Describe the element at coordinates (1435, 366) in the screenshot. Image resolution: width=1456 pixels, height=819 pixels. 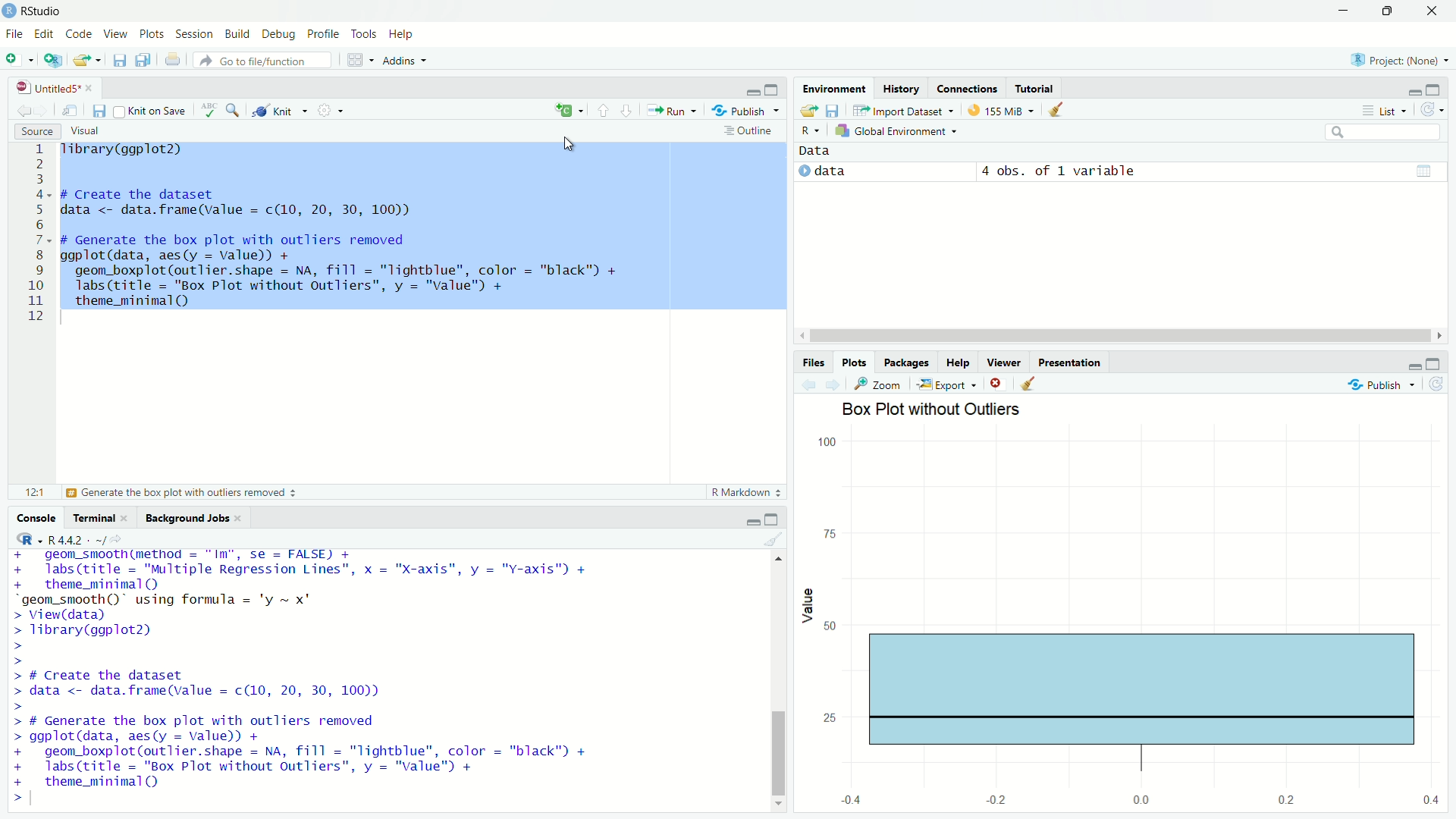
I see `maximise` at that location.